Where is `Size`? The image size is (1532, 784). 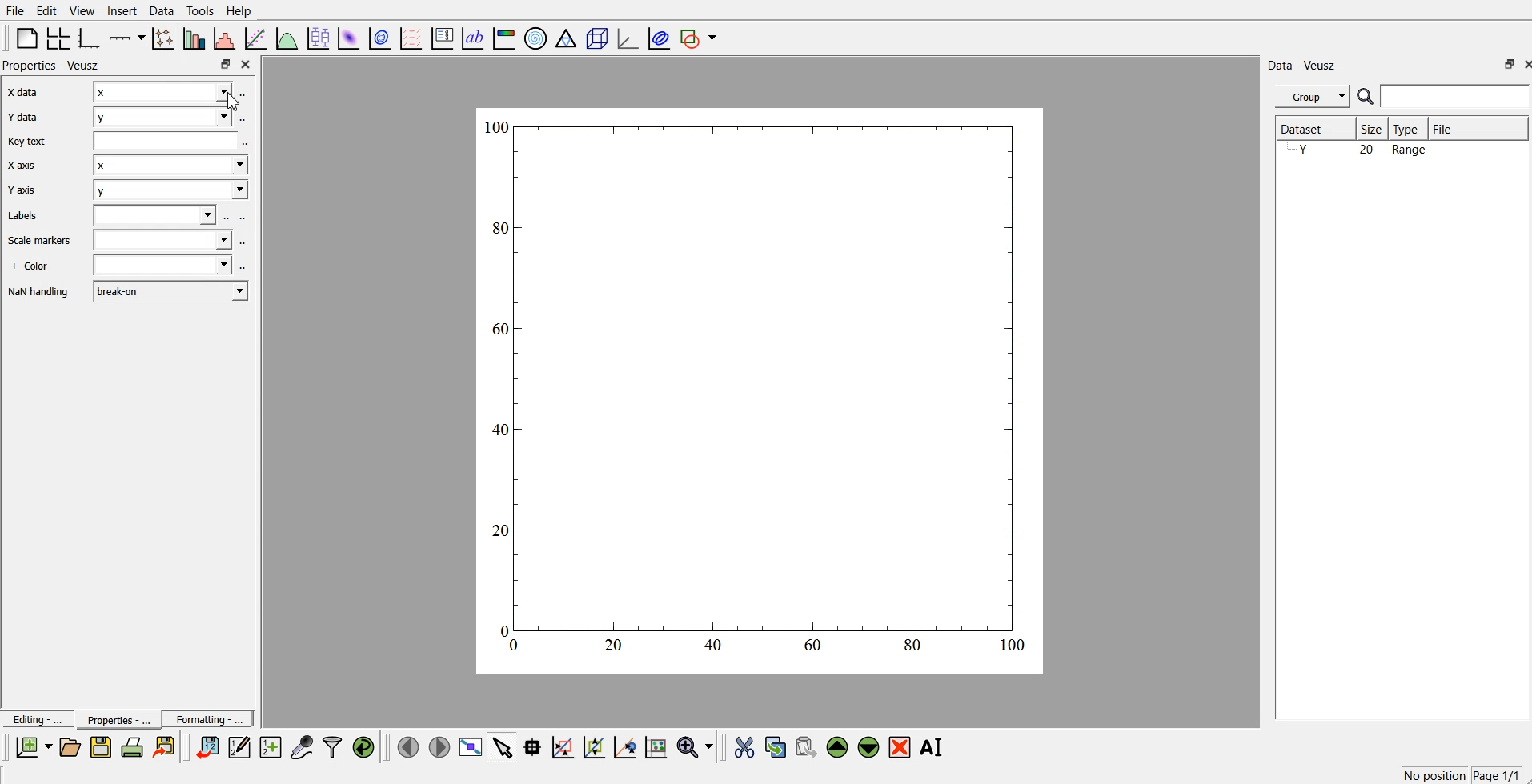
Size is located at coordinates (1373, 129).